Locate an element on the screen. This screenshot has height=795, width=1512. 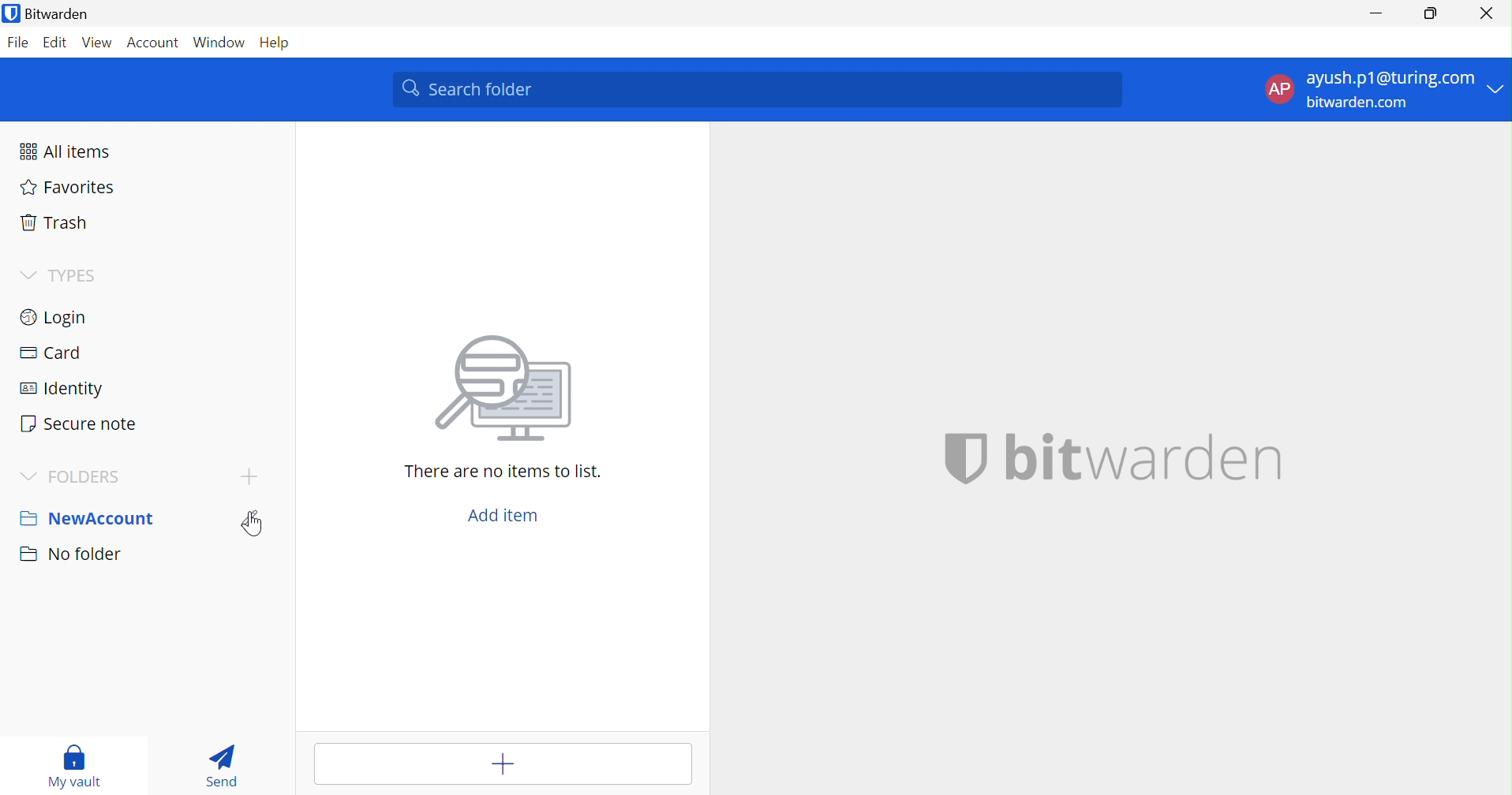
Drop Down is located at coordinates (23, 274).